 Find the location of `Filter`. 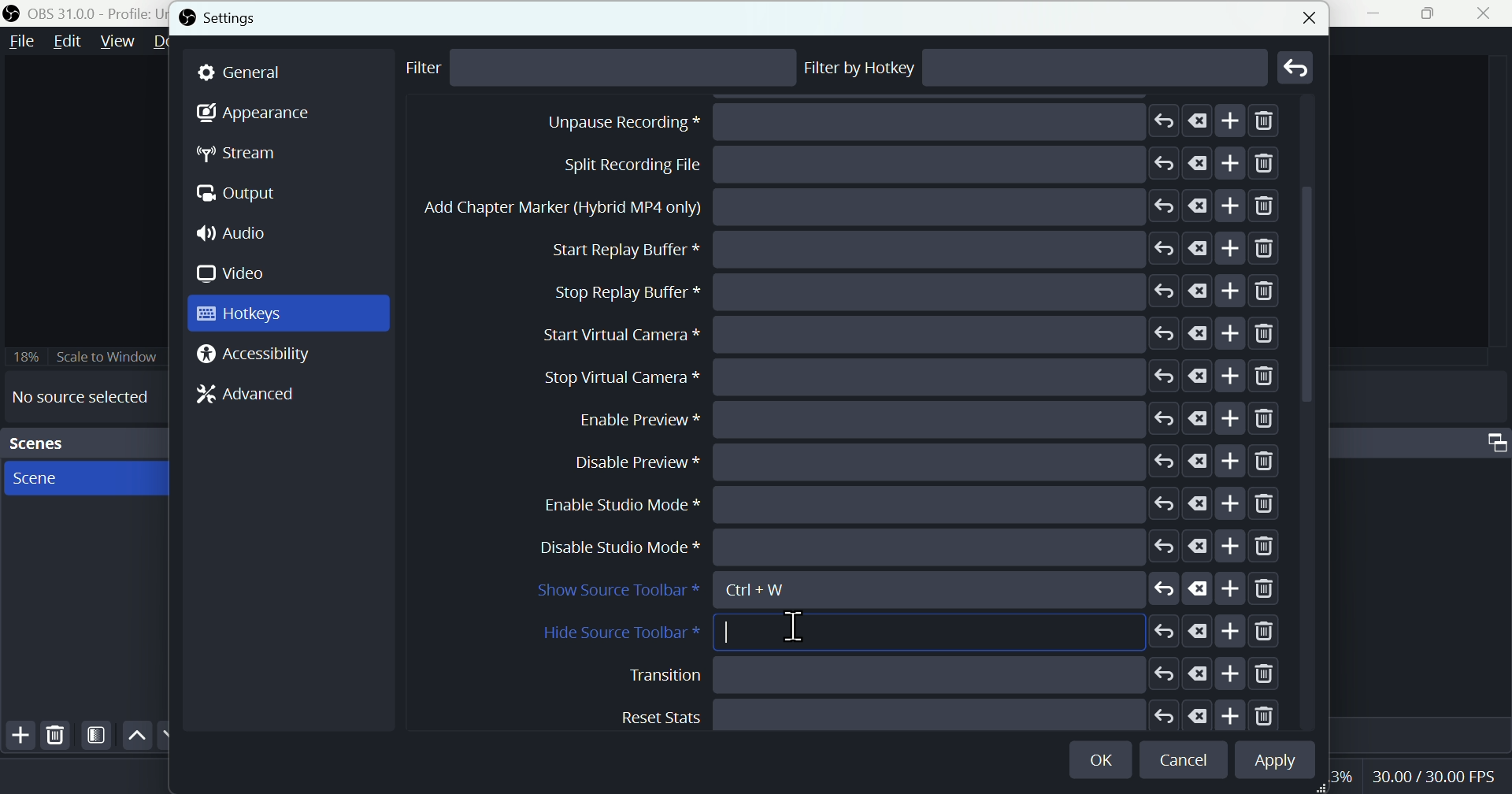

Filter is located at coordinates (97, 736).